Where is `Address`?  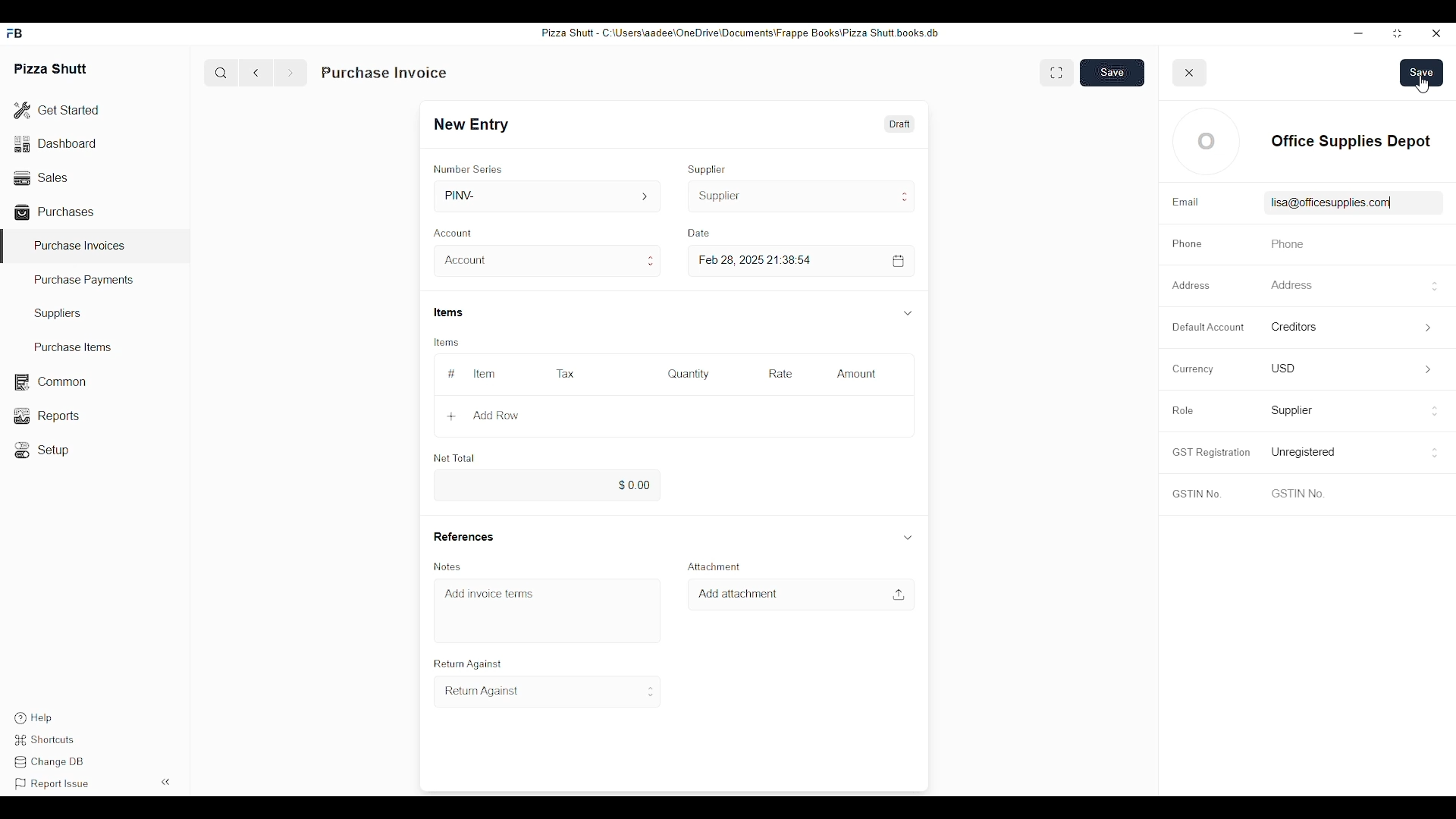 Address is located at coordinates (1194, 284).